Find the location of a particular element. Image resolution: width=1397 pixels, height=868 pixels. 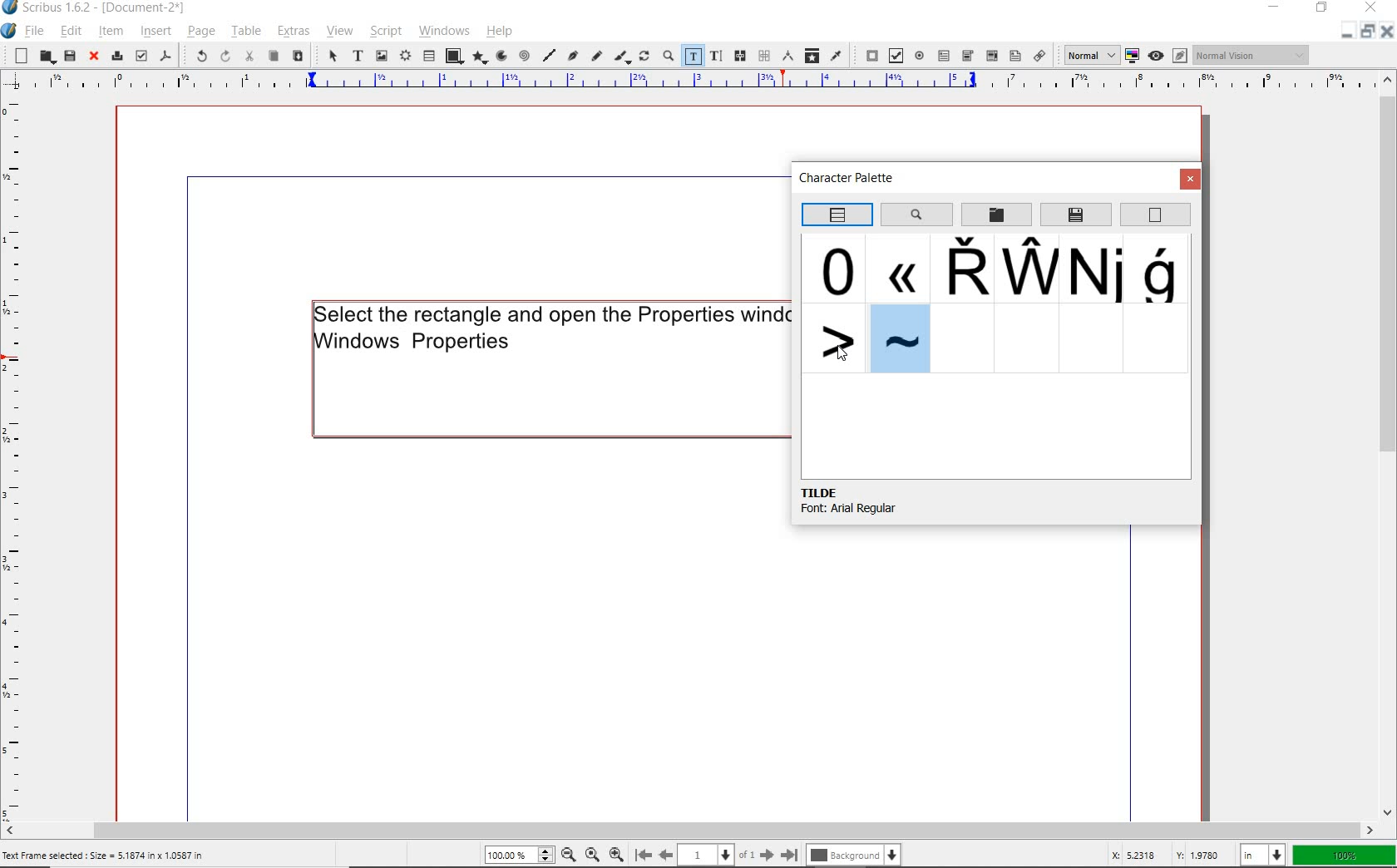

link text frames is located at coordinates (742, 57).